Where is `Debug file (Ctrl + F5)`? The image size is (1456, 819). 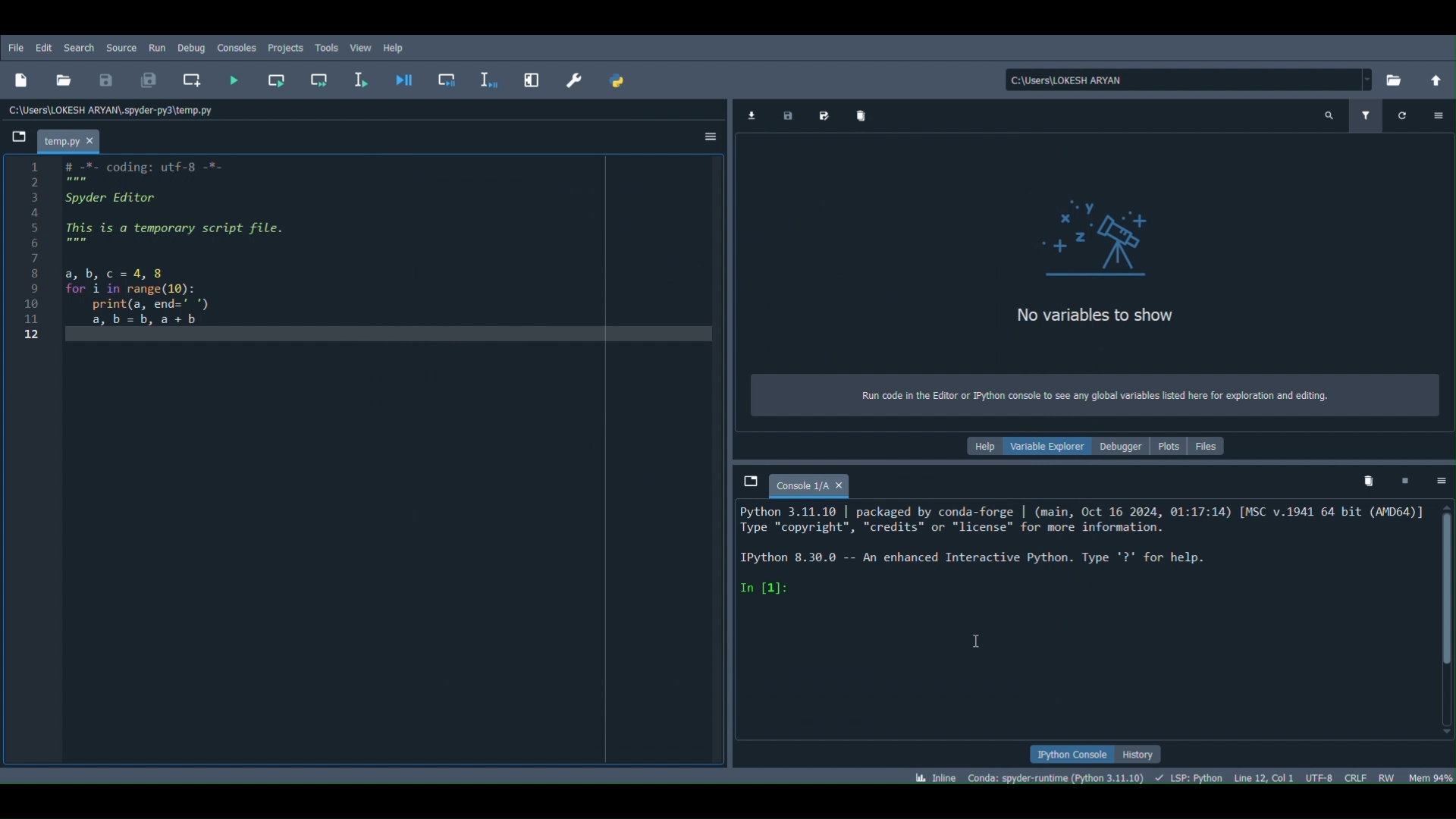
Debug file (Ctrl + F5) is located at coordinates (403, 81).